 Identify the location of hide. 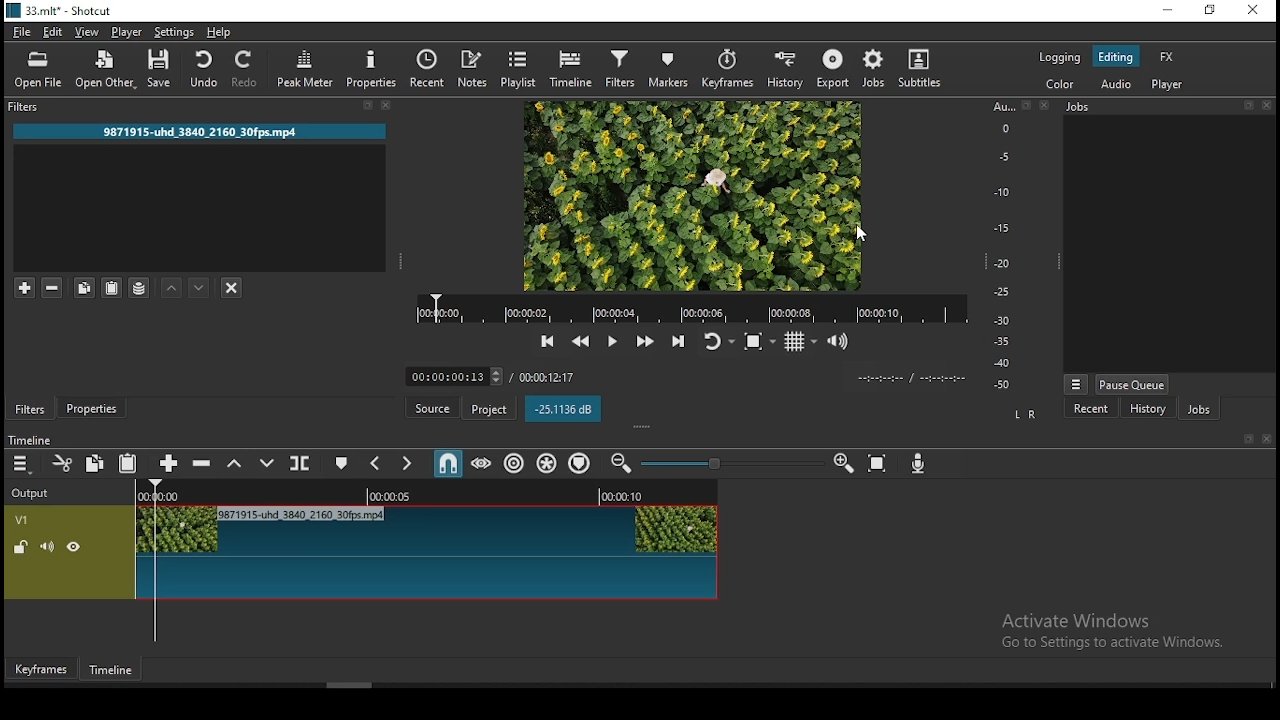
(74, 547).